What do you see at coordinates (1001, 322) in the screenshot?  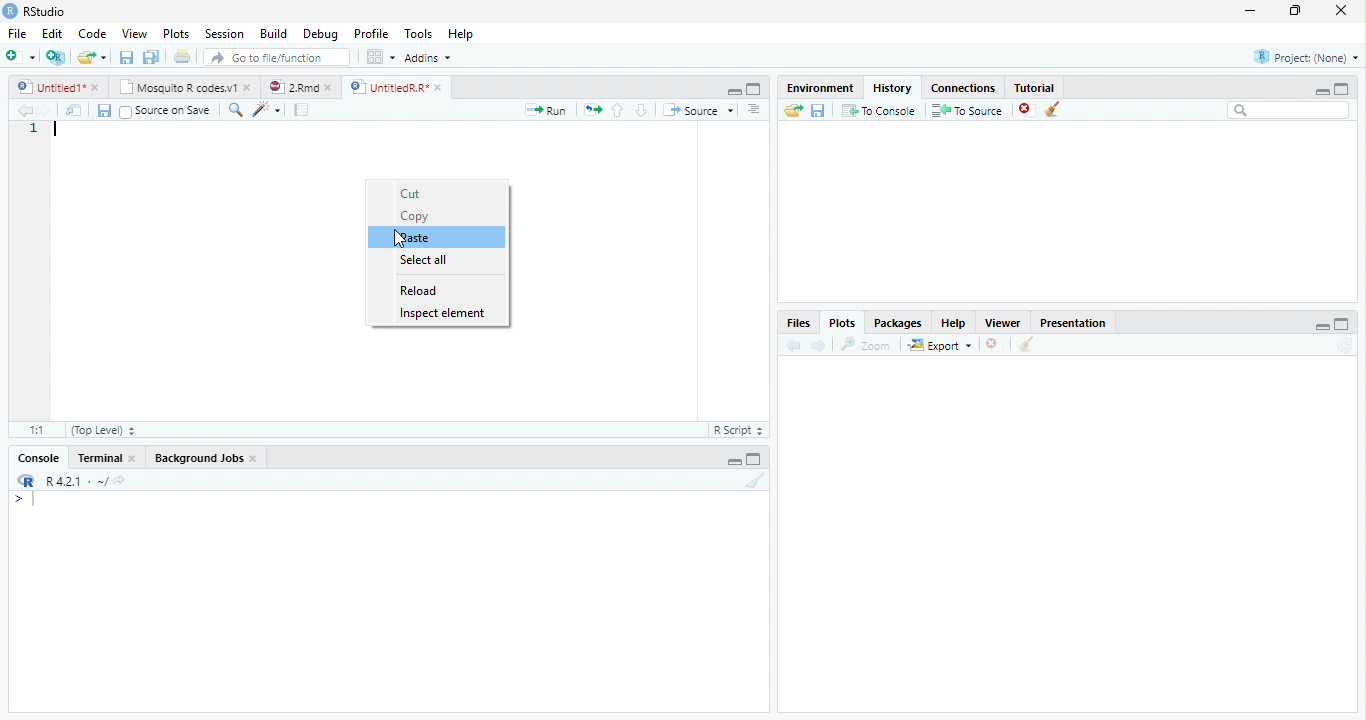 I see `Viewer` at bounding box center [1001, 322].